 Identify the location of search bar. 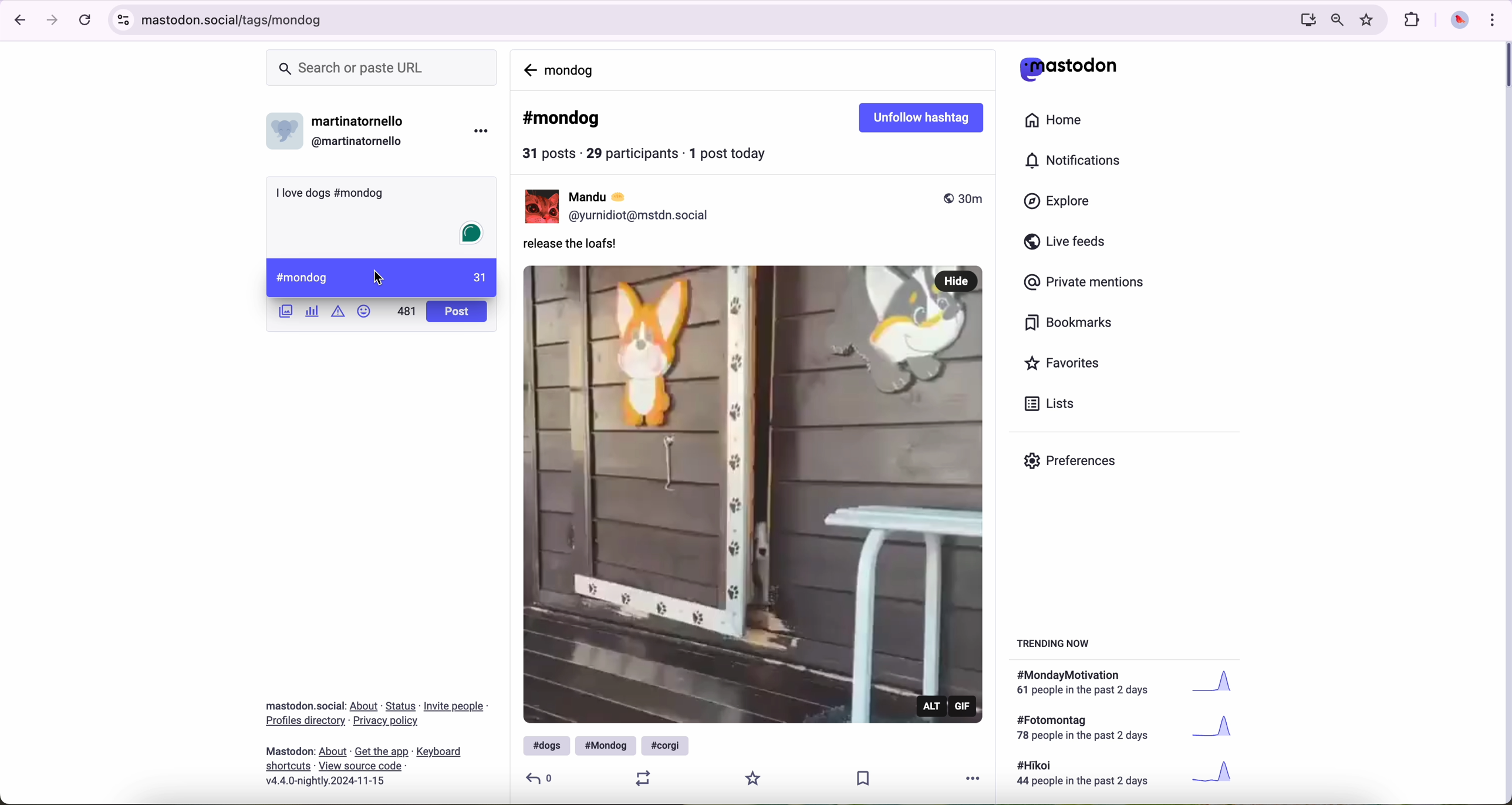
(384, 68).